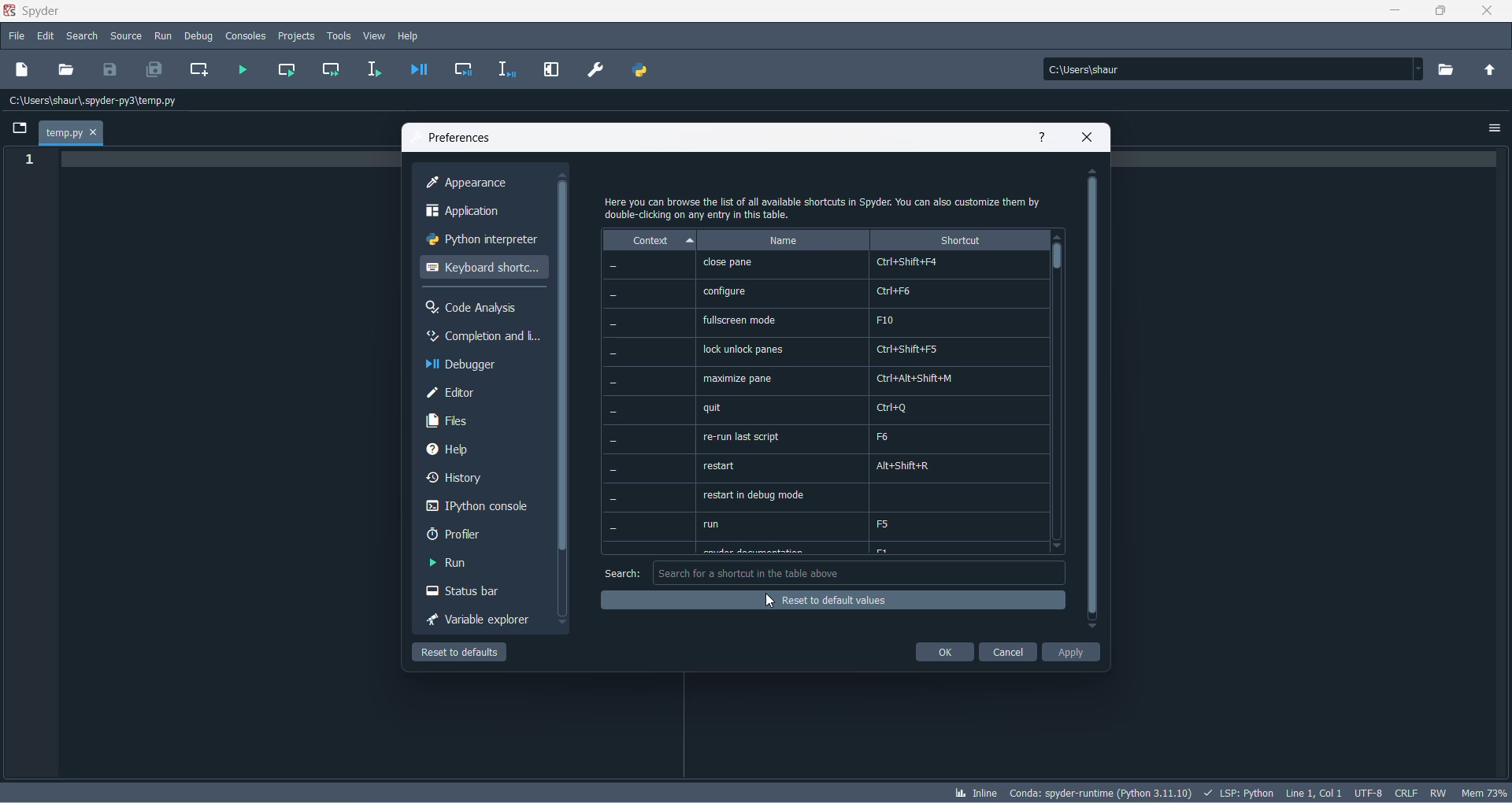 The image size is (1512, 803). Describe the element at coordinates (96, 103) in the screenshot. I see `path` at that location.